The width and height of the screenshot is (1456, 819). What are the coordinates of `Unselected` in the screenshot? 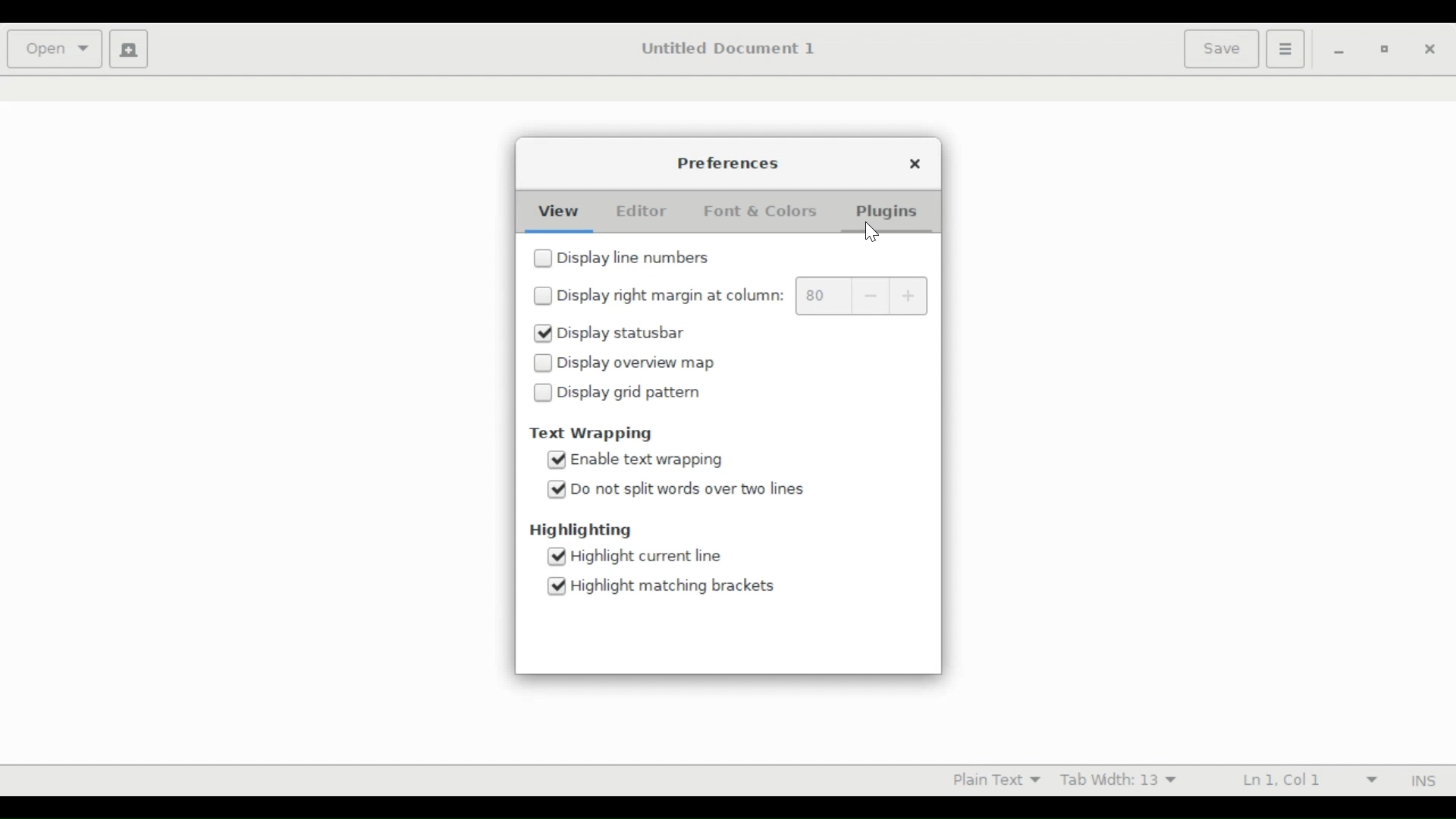 It's located at (543, 295).